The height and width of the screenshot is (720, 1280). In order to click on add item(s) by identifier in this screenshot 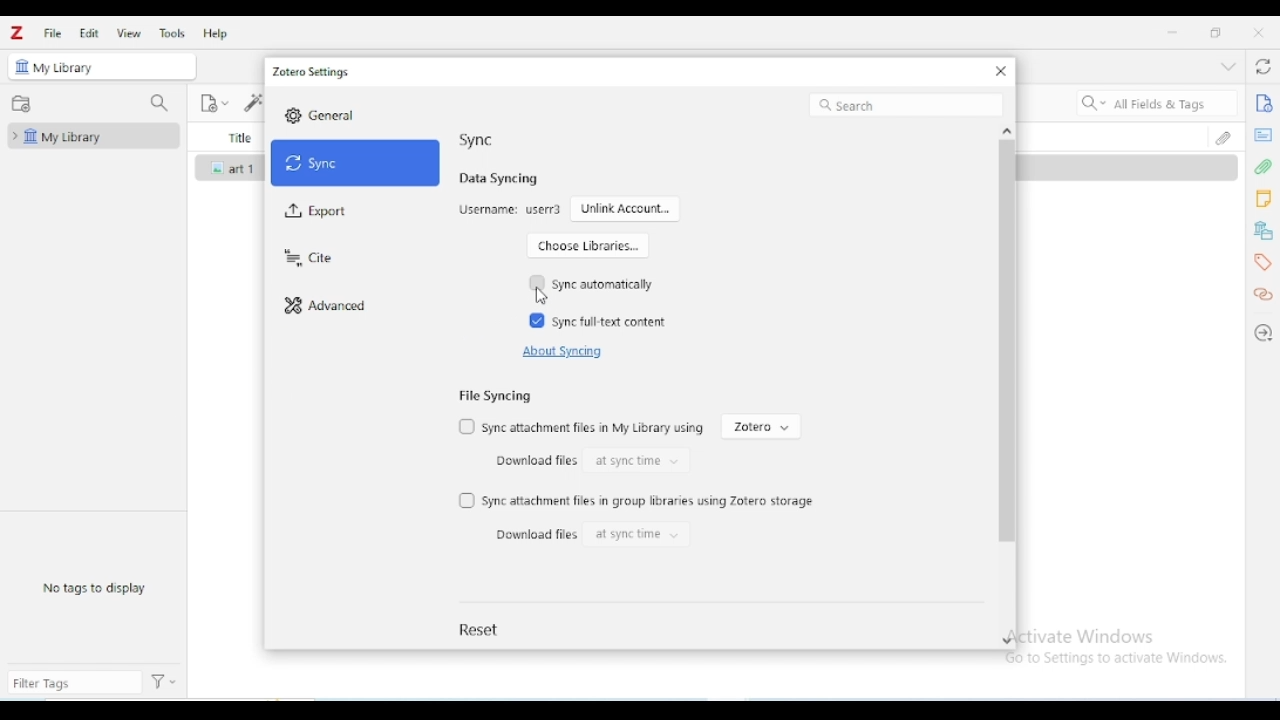, I will do `click(251, 102)`.